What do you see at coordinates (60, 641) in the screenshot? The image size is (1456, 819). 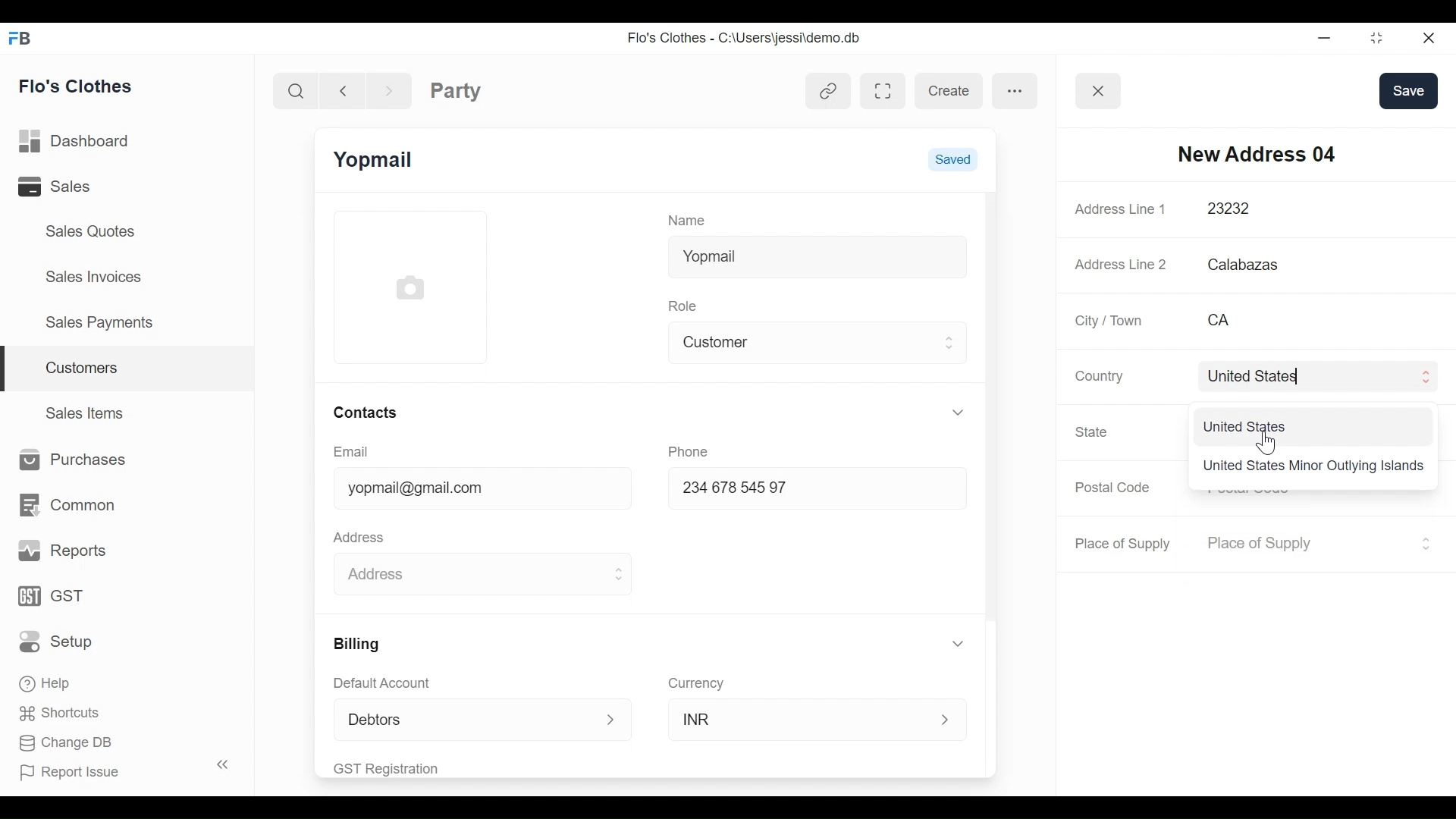 I see `Setup` at bounding box center [60, 641].